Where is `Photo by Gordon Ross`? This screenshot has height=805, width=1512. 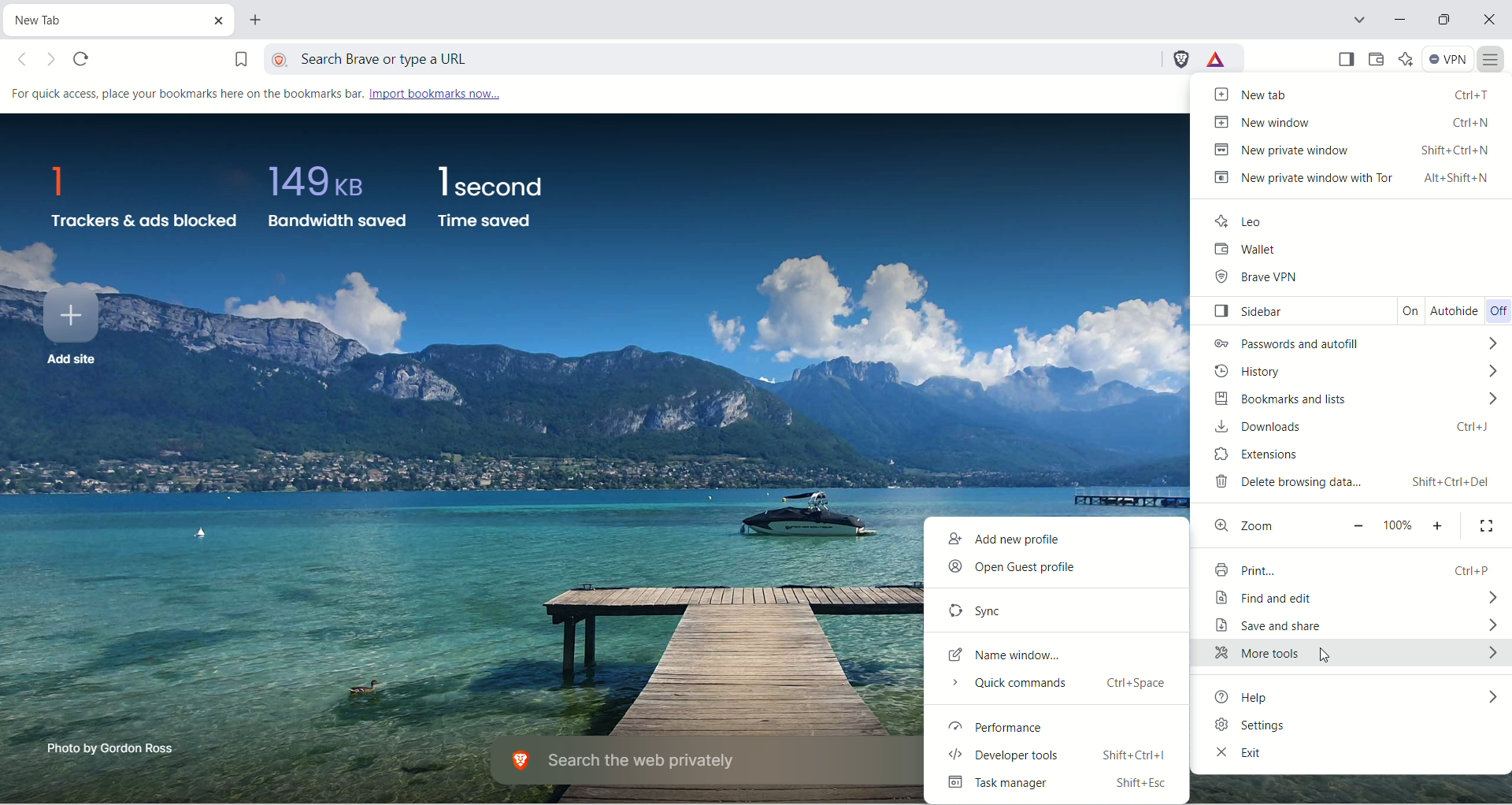
Photo by Gordon Ross is located at coordinates (114, 748).